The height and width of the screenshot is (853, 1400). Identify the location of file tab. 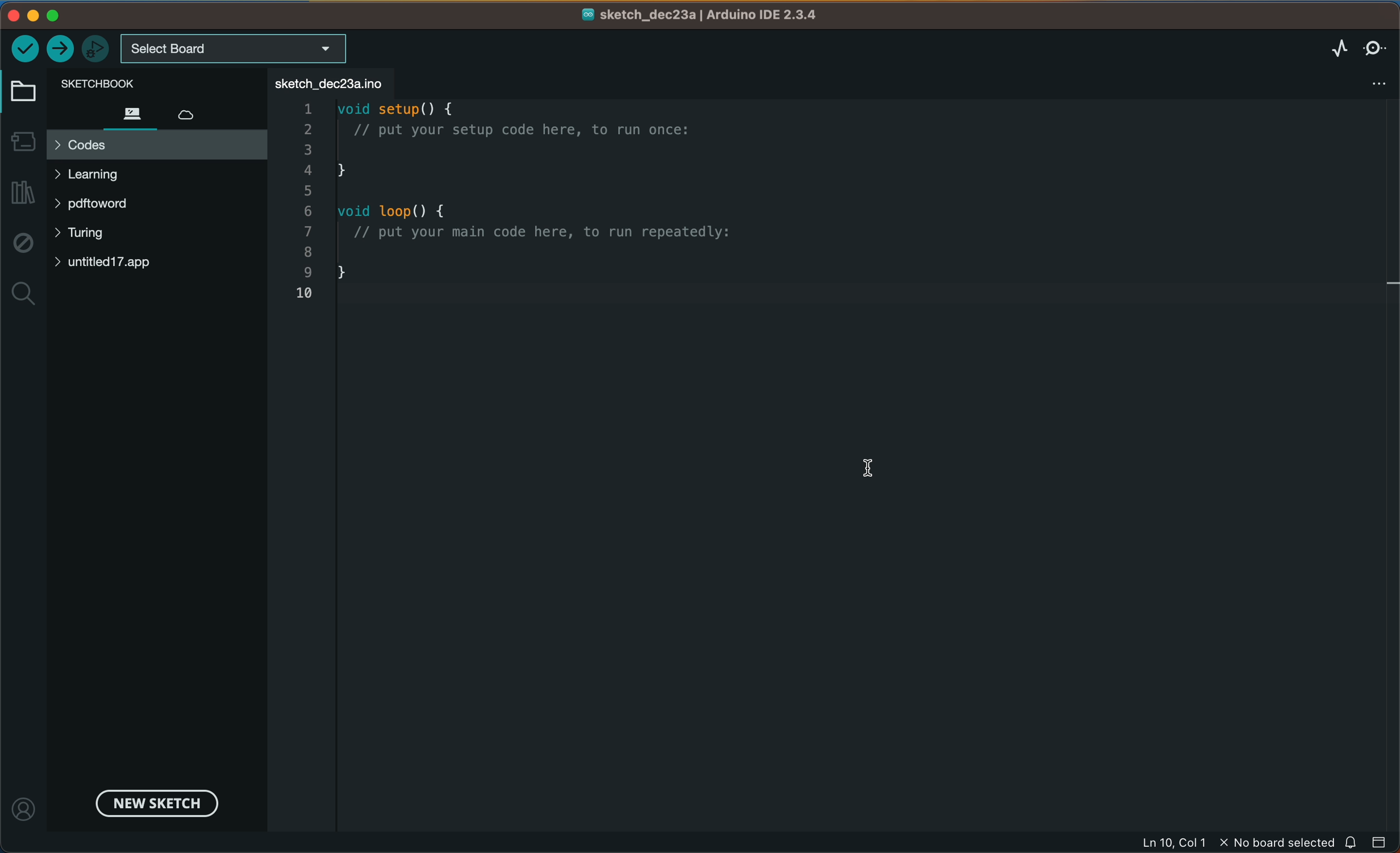
(331, 85).